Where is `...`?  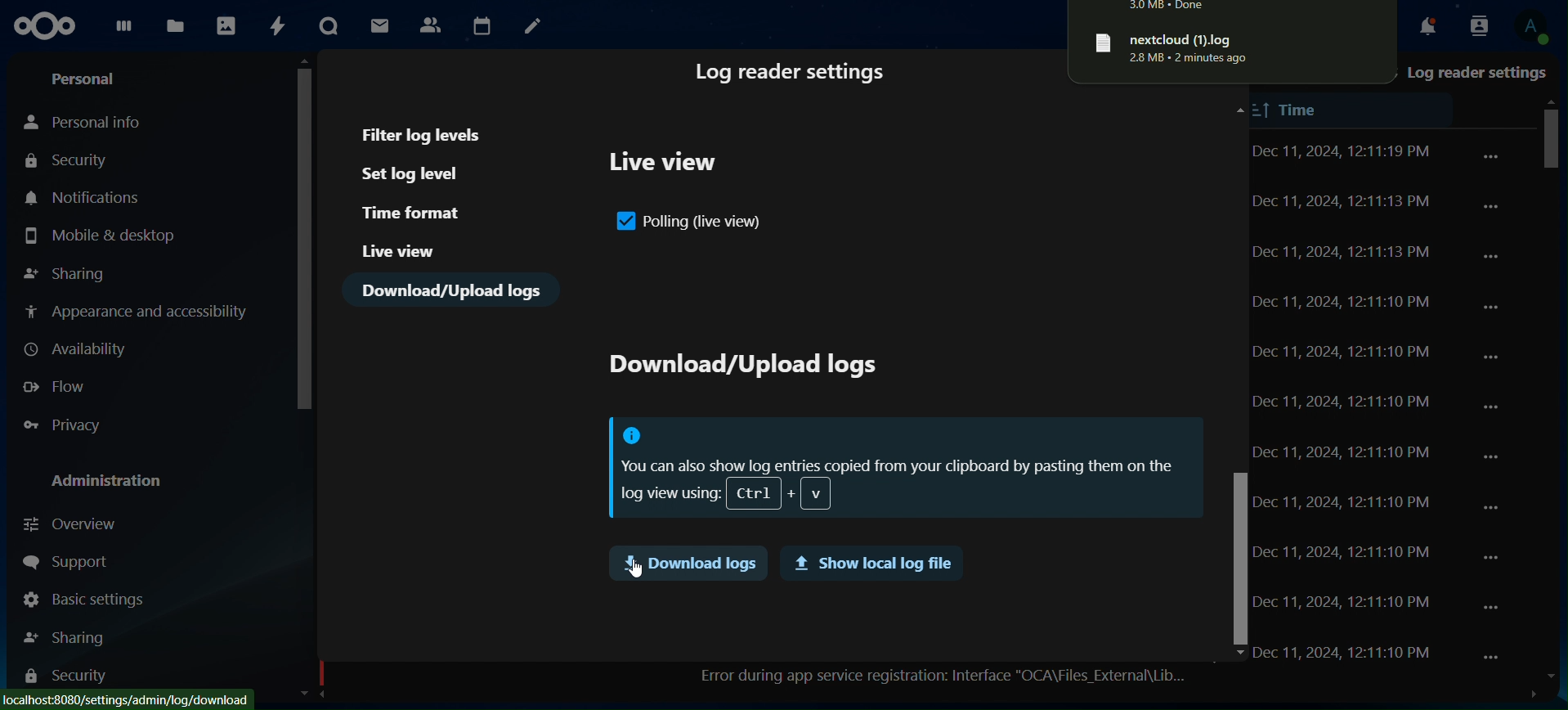
... is located at coordinates (1491, 308).